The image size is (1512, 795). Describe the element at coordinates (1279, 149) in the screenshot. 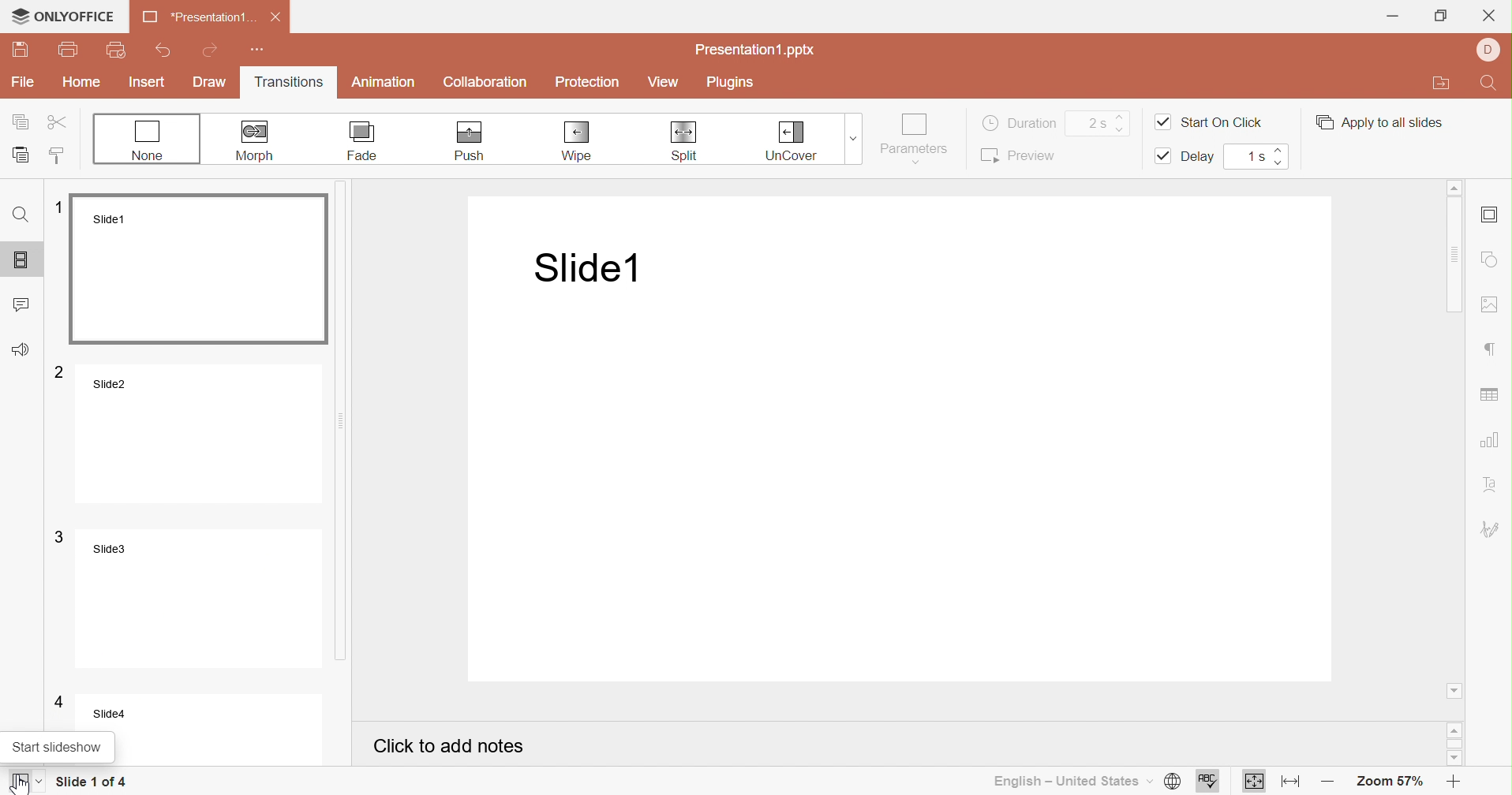

I see `Increase delay` at that location.